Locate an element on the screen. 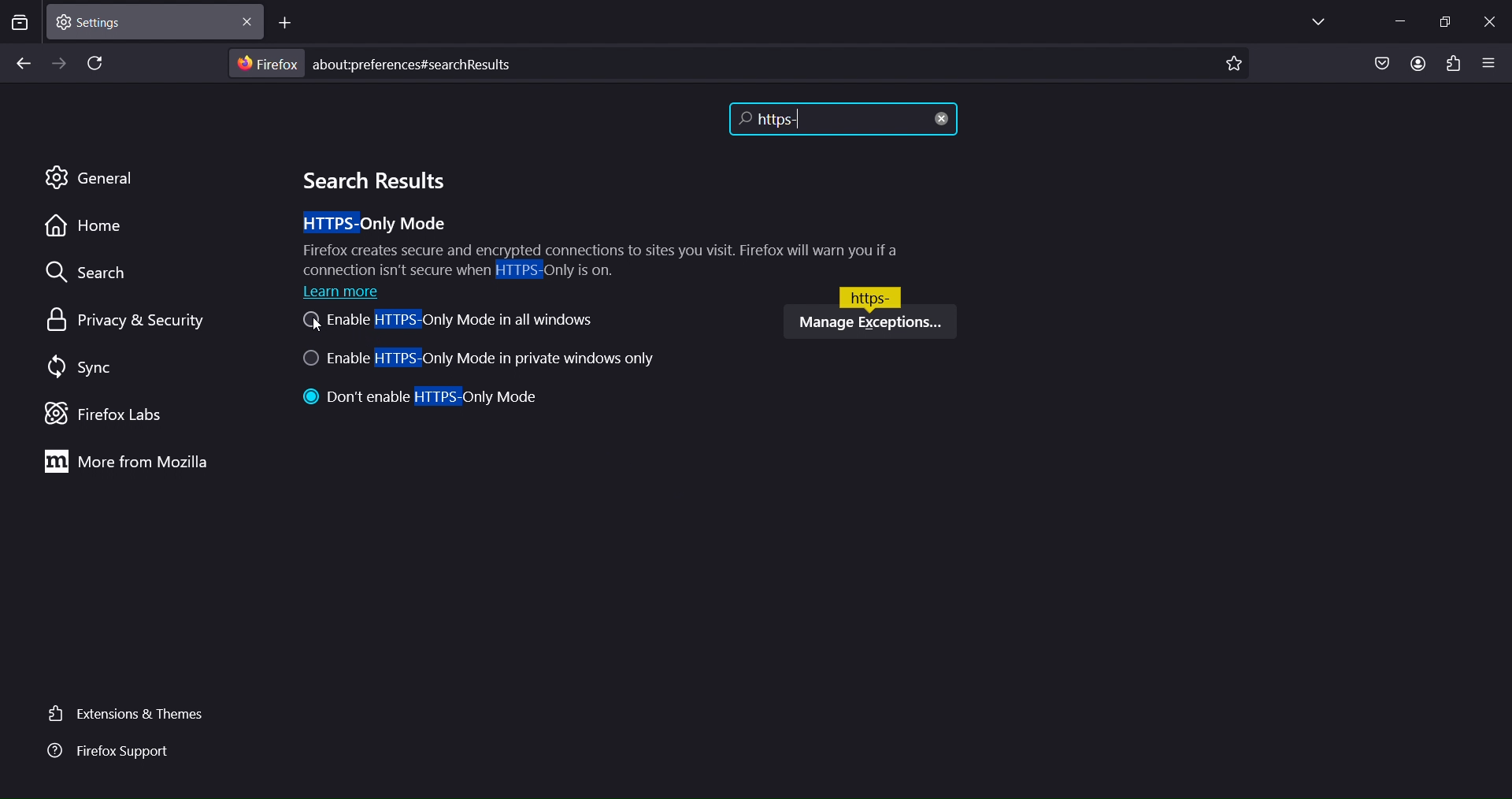 Image resolution: width=1512 pixels, height=799 pixels. go back one page is located at coordinates (21, 65).